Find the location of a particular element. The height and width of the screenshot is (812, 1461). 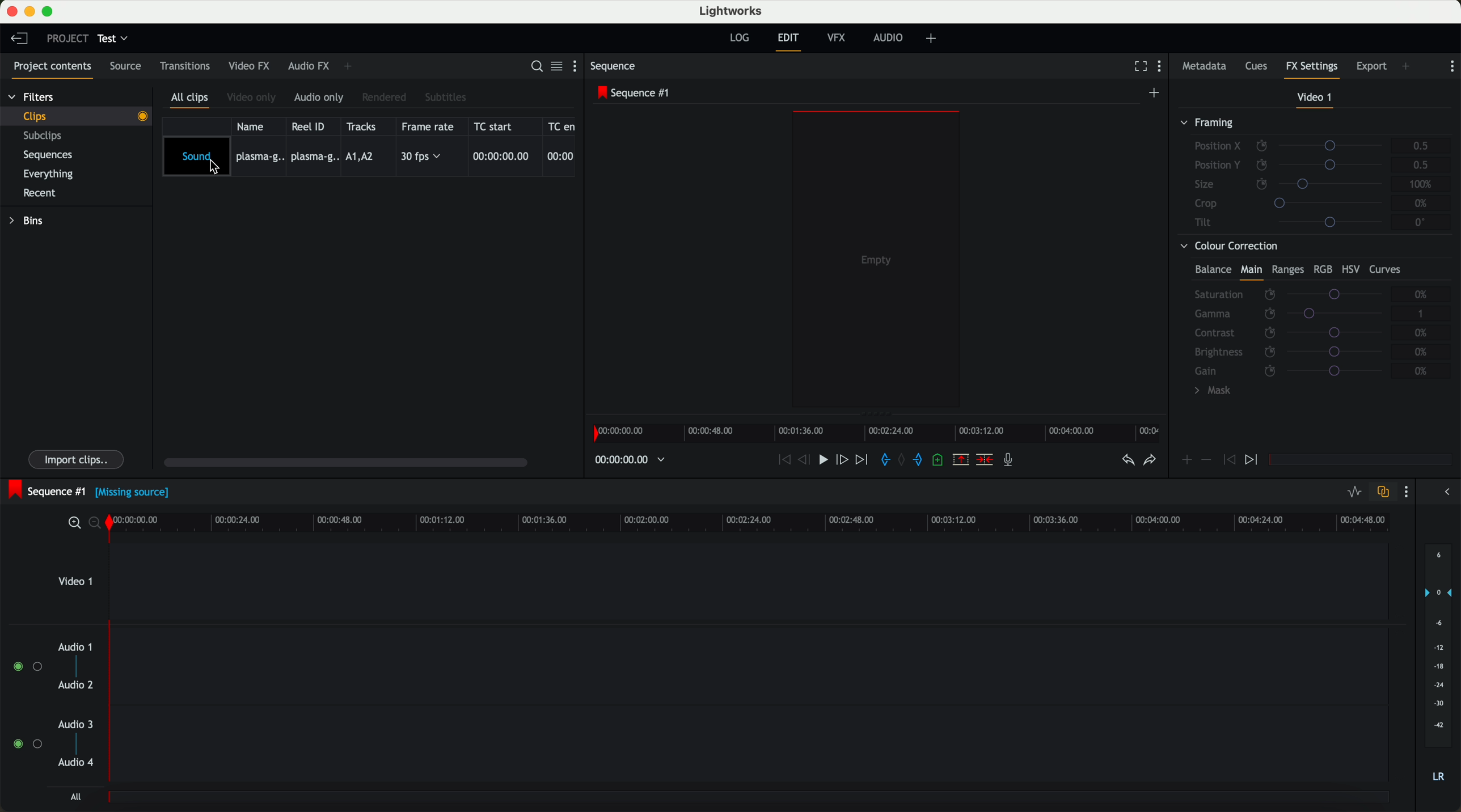

clear all marks is located at coordinates (903, 461).